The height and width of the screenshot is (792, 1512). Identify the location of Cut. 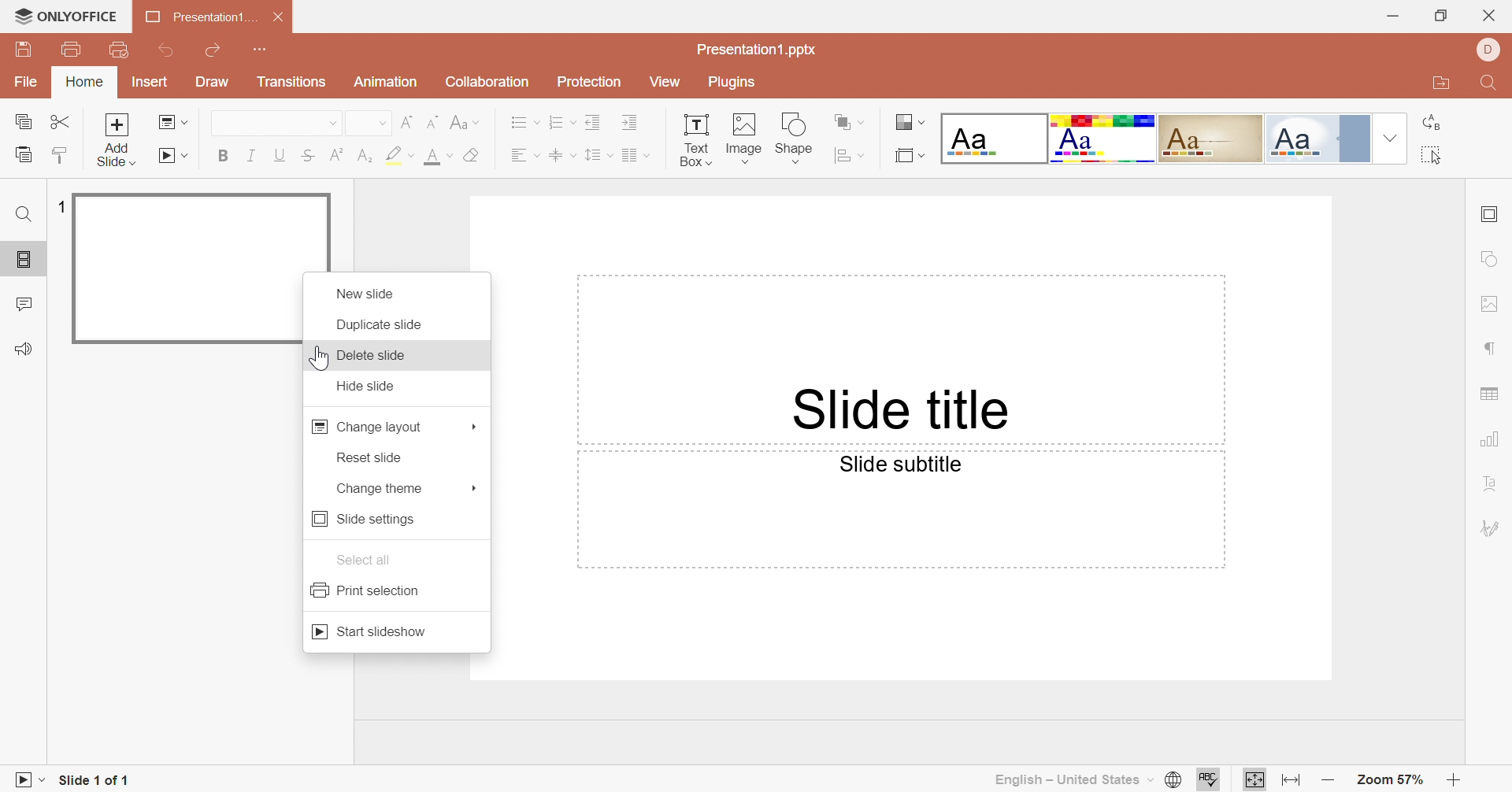
(62, 121).